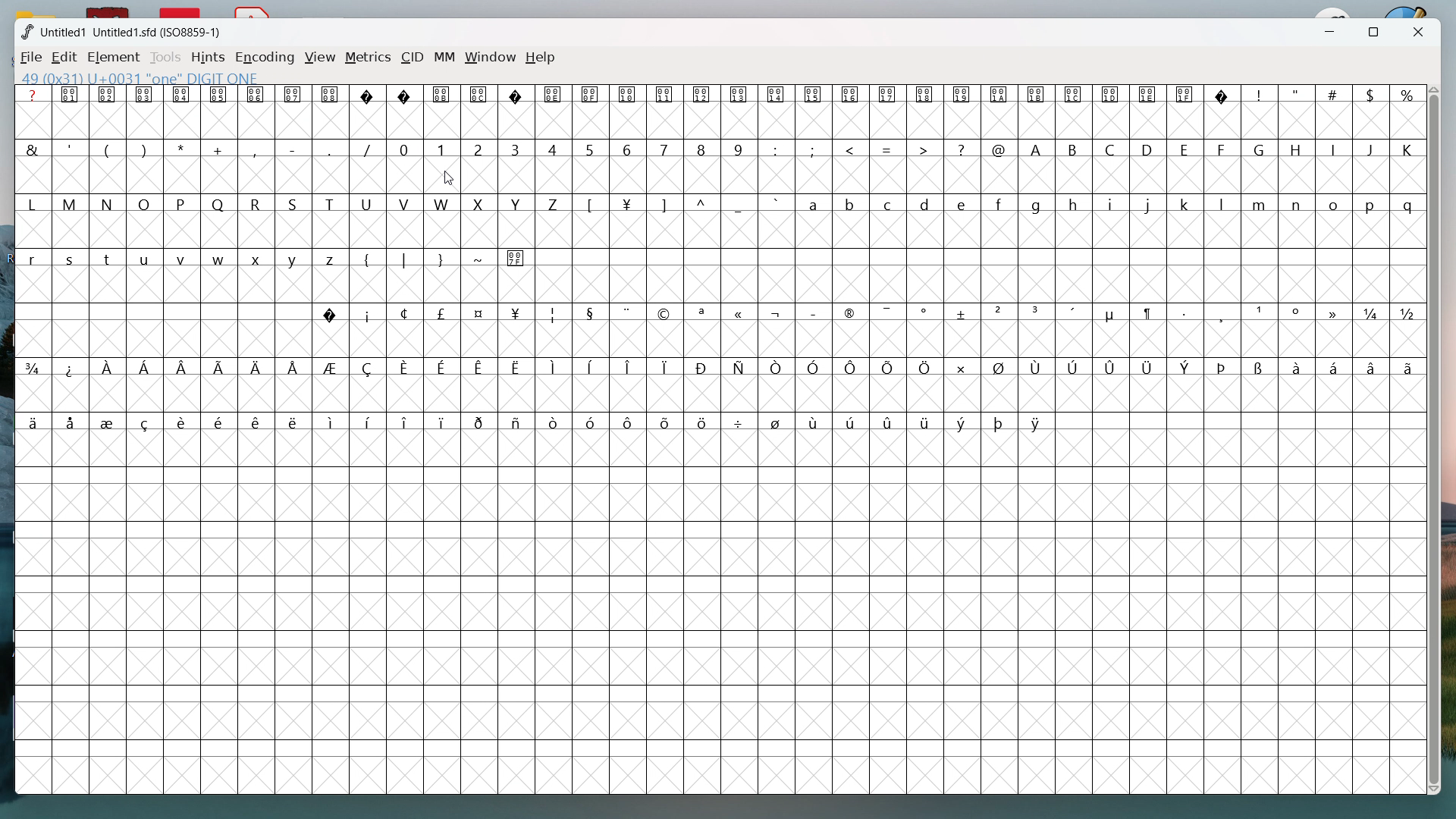 The image size is (1456, 819). I want to click on symbol, so click(928, 422).